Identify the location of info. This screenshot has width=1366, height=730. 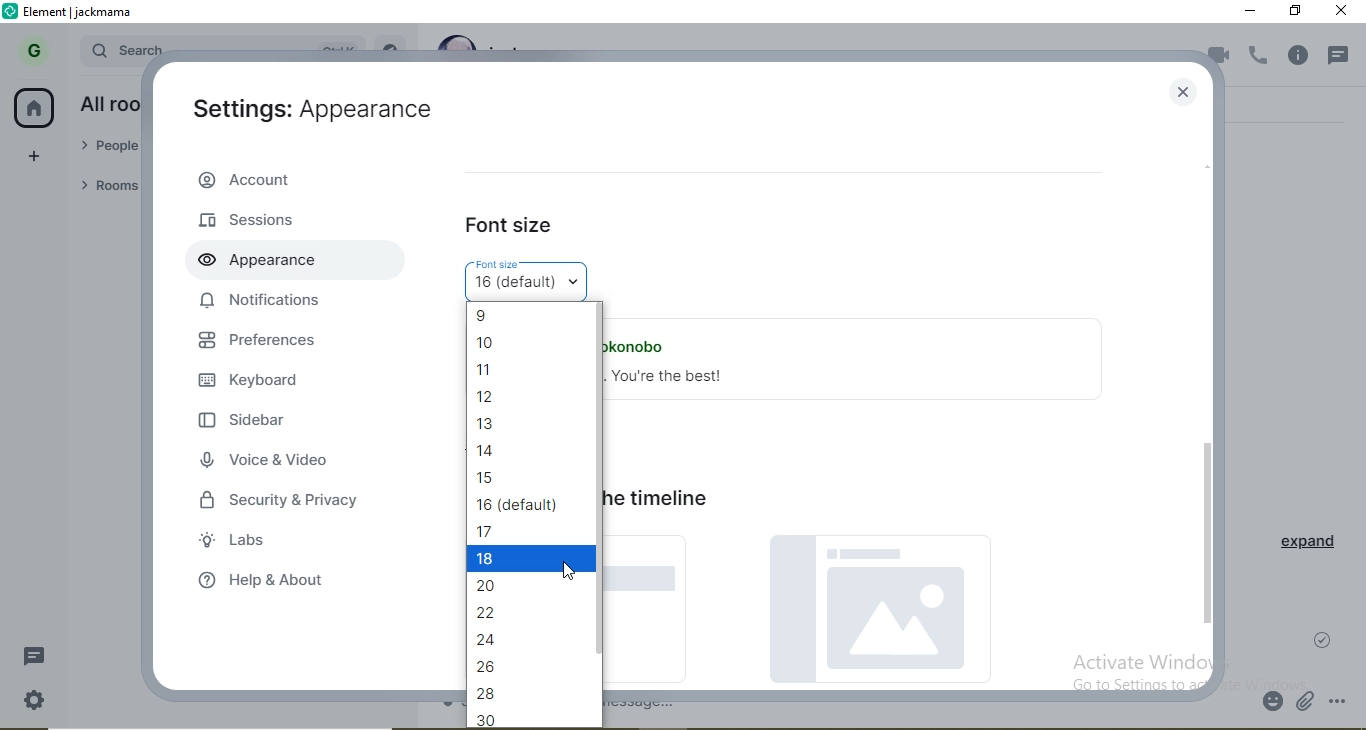
(1303, 56).